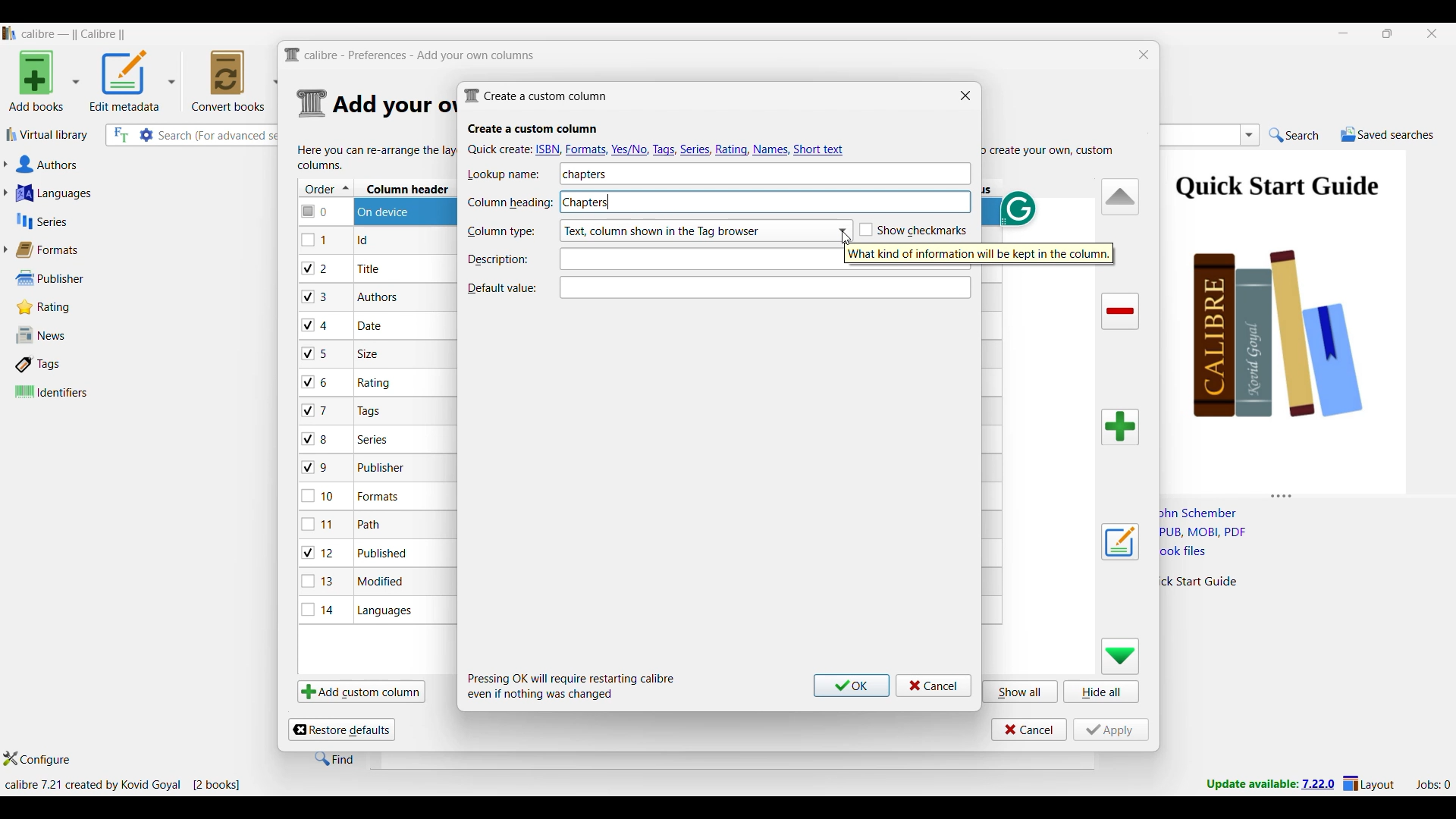 The width and height of the screenshot is (1456, 819). I want to click on Software name, so click(74, 34).